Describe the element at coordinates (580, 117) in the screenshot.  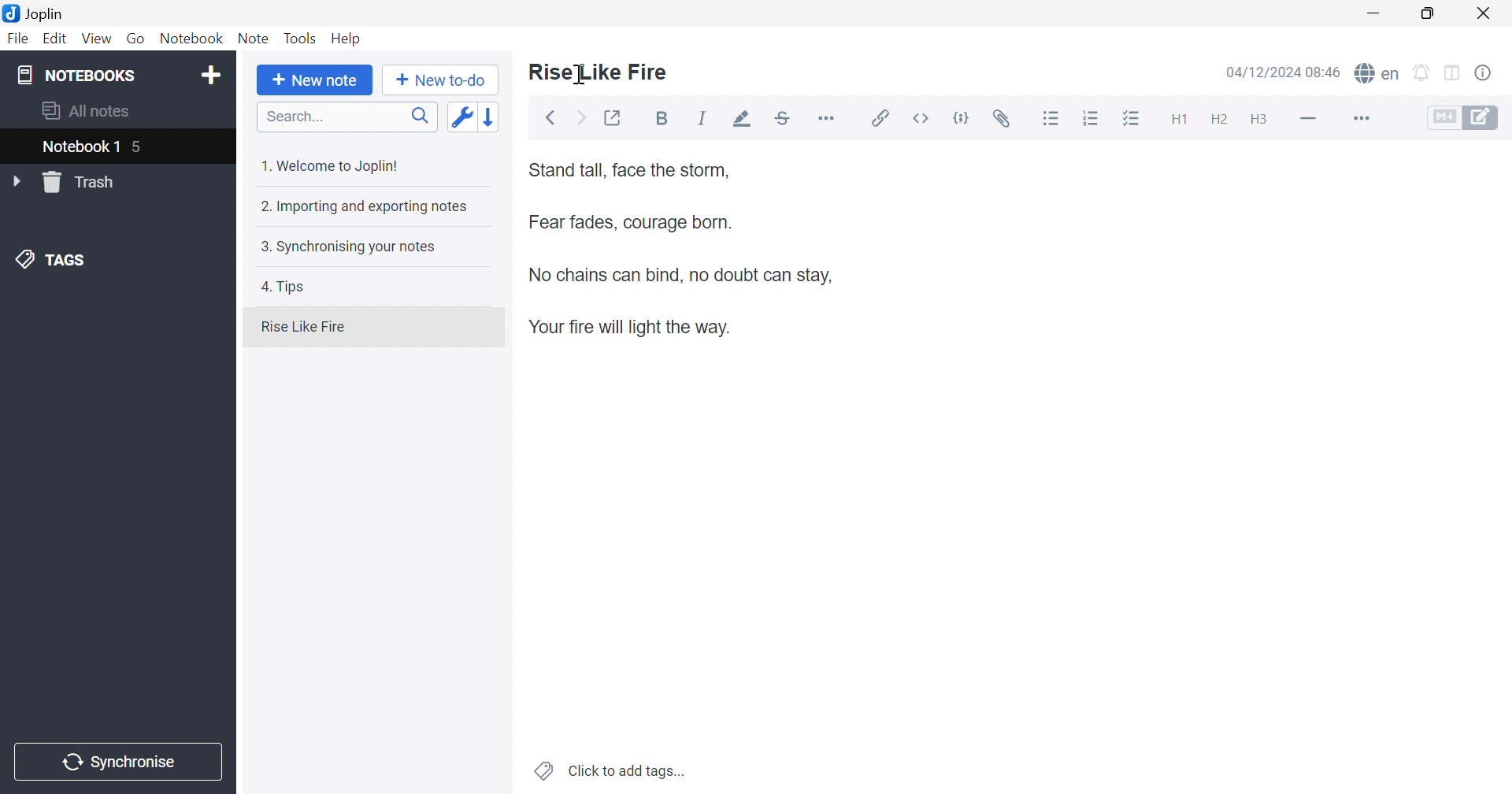
I see `Forward` at that location.